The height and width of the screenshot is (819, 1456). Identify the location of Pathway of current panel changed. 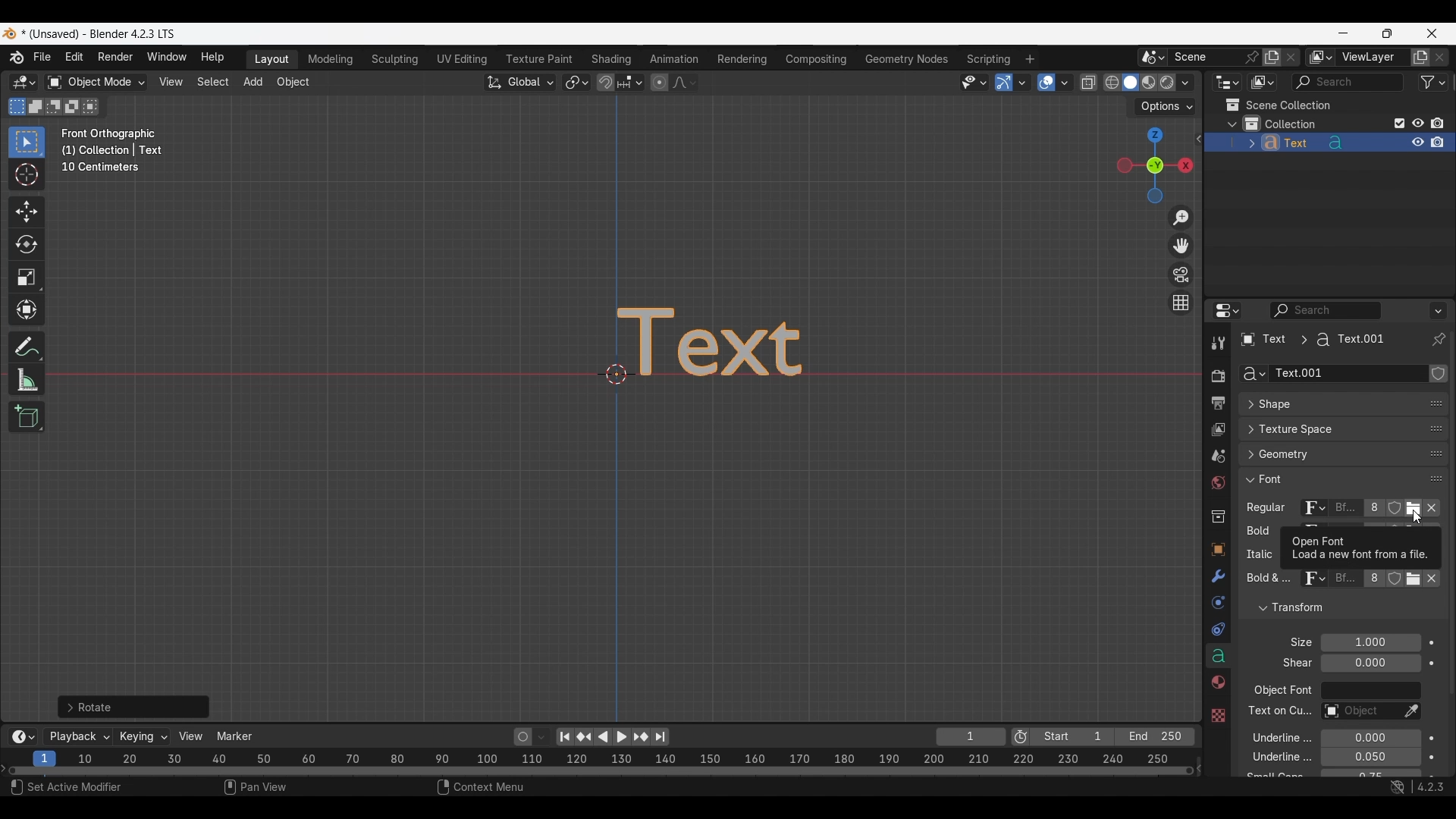
(1311, 340).